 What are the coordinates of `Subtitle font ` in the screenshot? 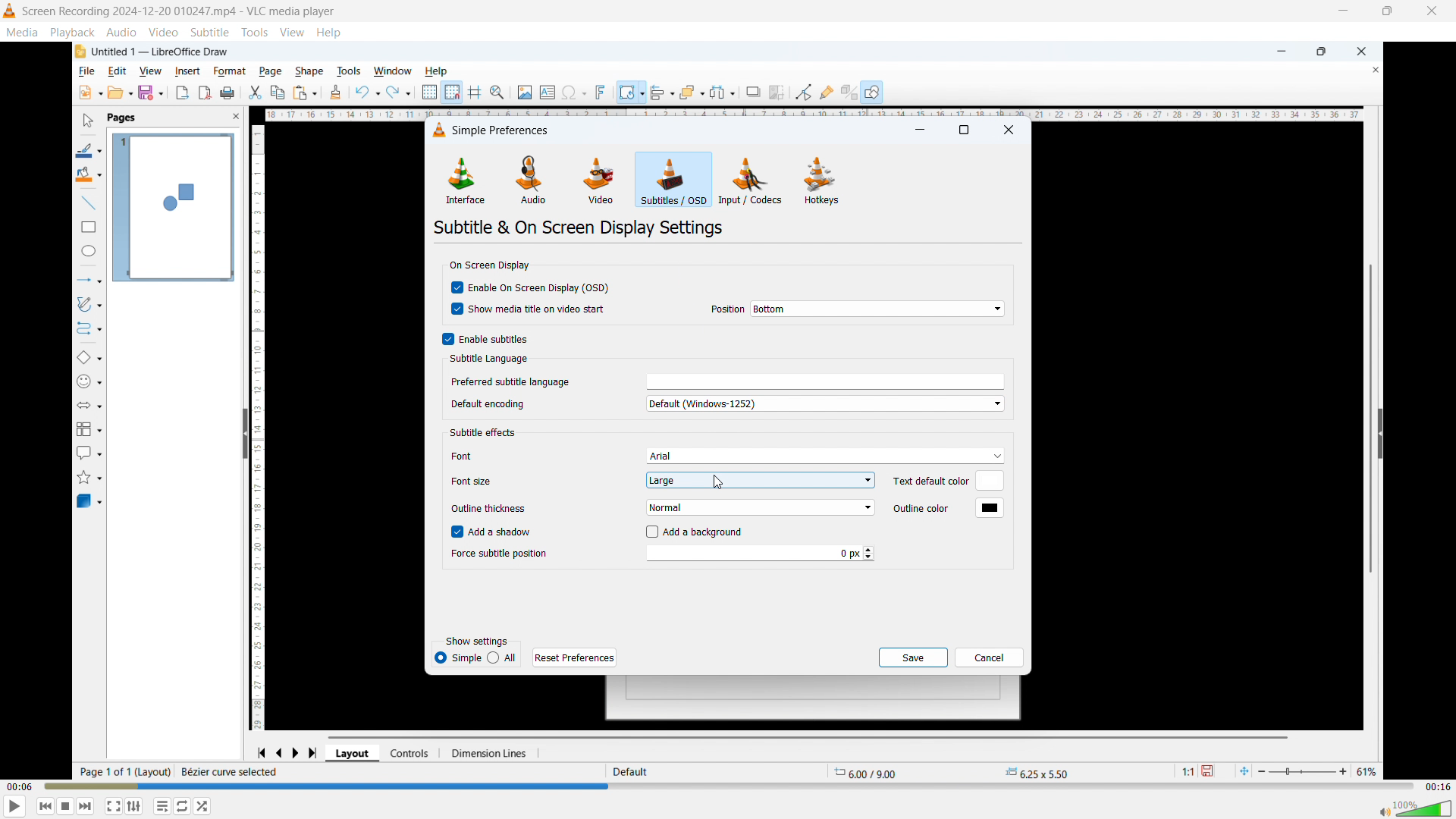 It's located at (824, 457).